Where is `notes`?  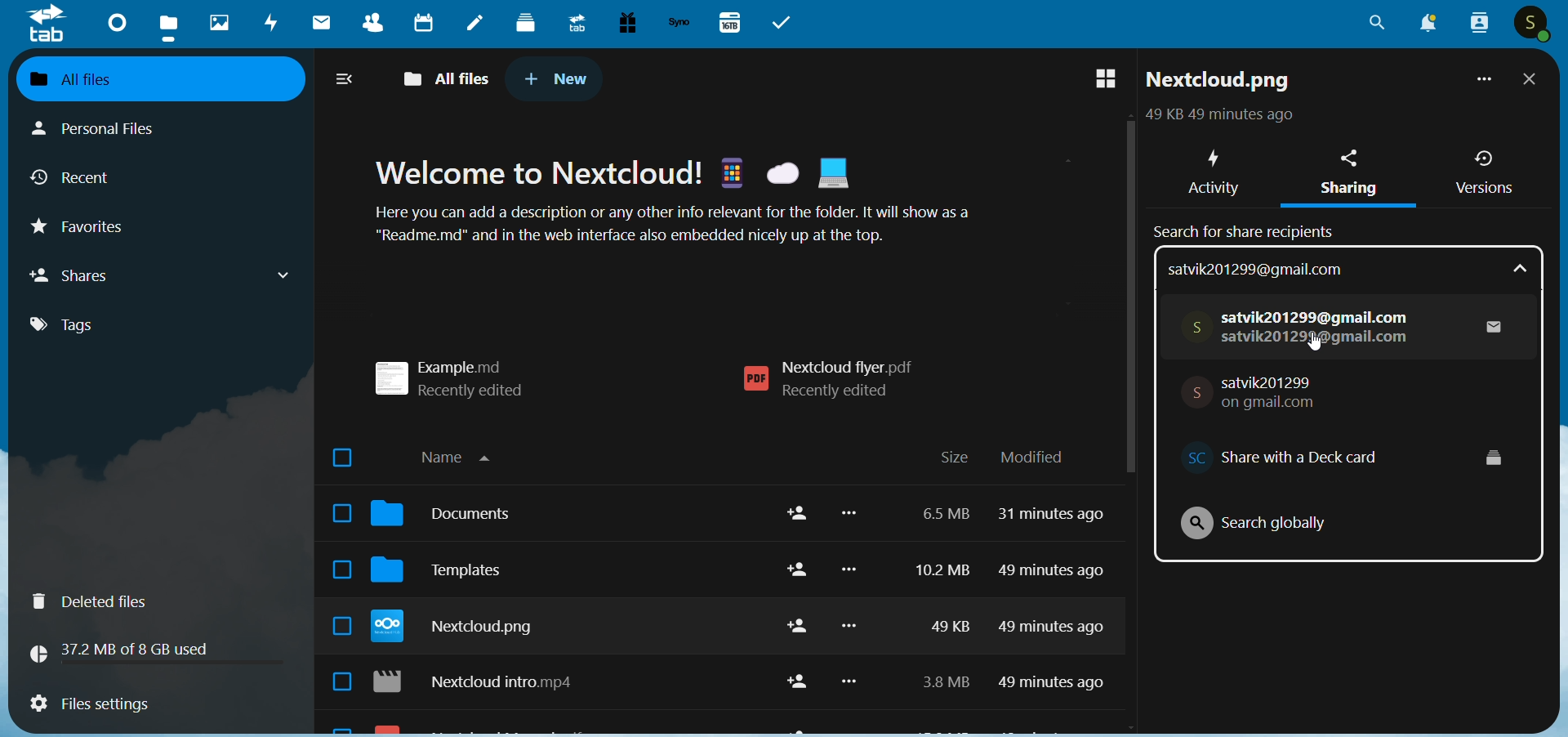
notes is located at coordinates (475, 25).